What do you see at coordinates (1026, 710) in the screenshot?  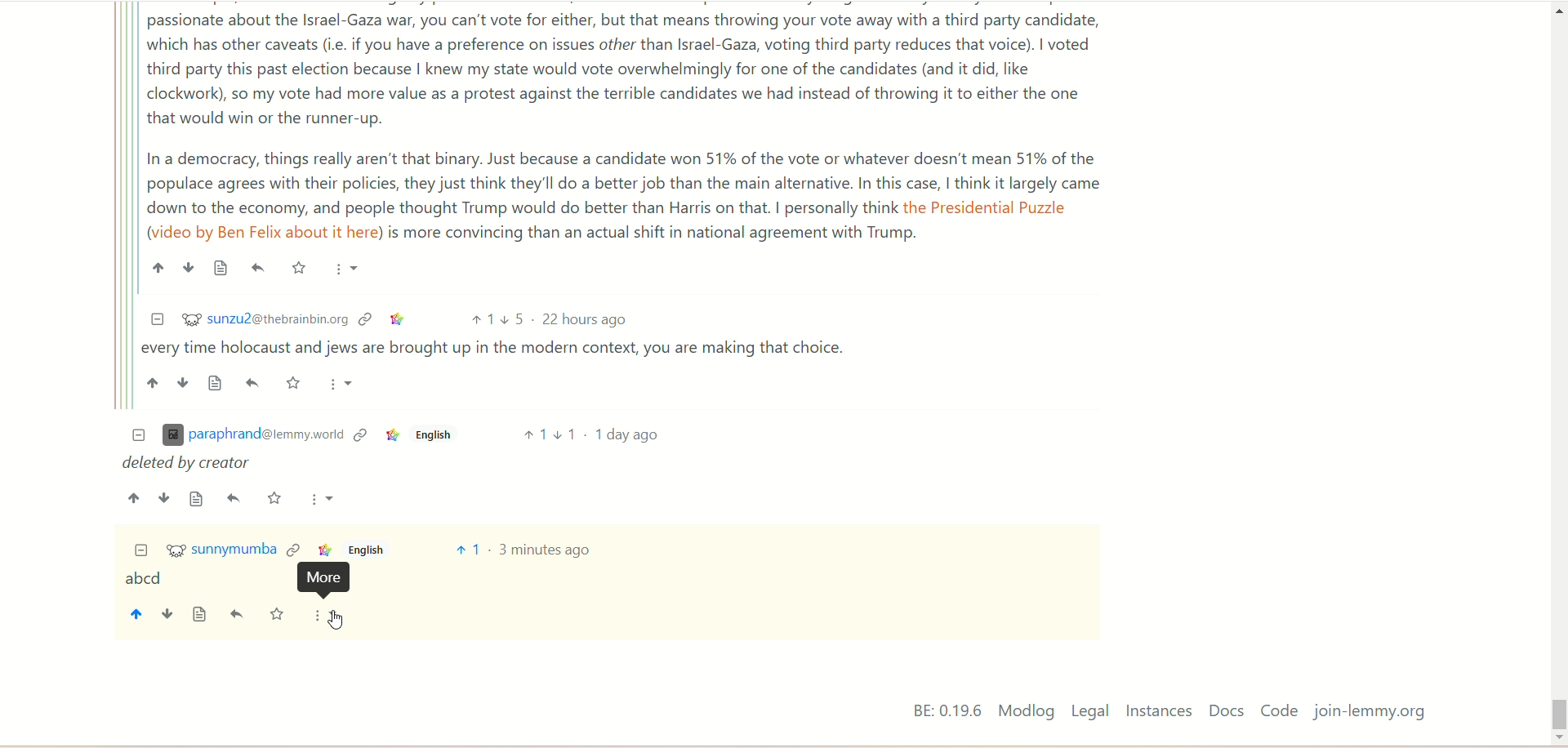 I see `Modlog` at bounding box center [1026, 710].